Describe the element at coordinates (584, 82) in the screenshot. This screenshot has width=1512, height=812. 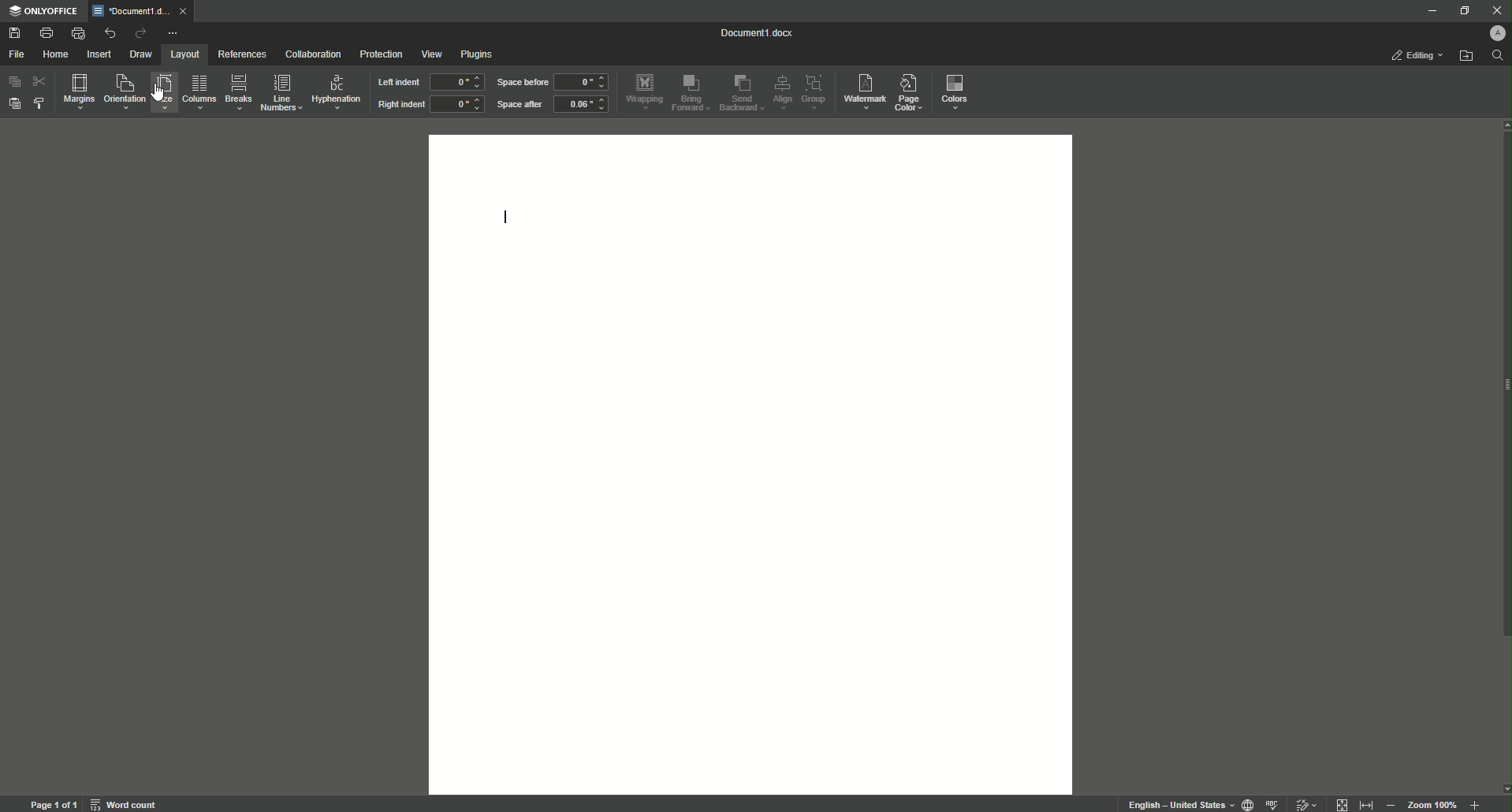
I see `0` at that location.